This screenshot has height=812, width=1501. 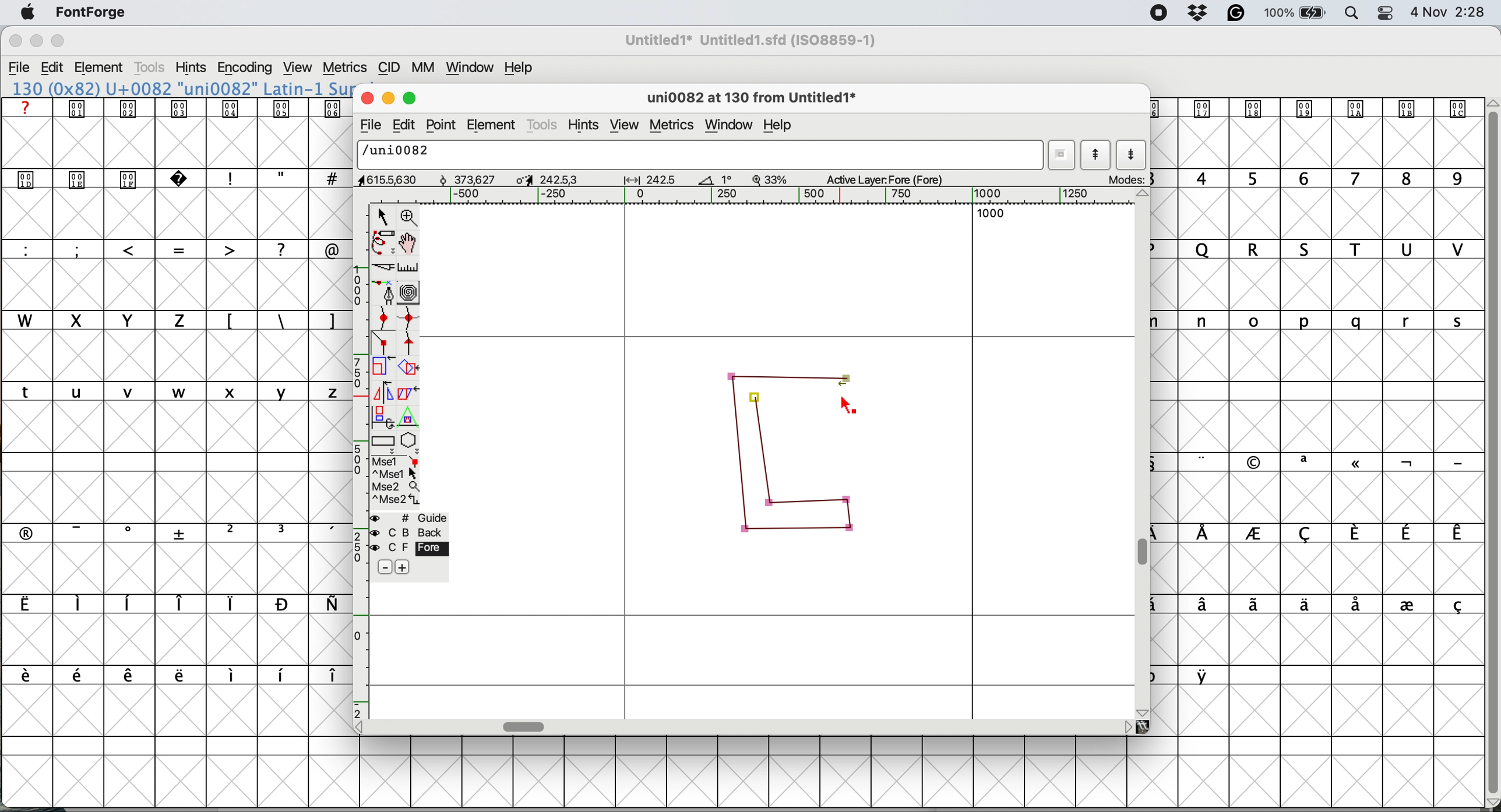 What do you see at coordinates (541, 179) in the screenshot?
I see `dimensions` at bounding box center [541, 179].